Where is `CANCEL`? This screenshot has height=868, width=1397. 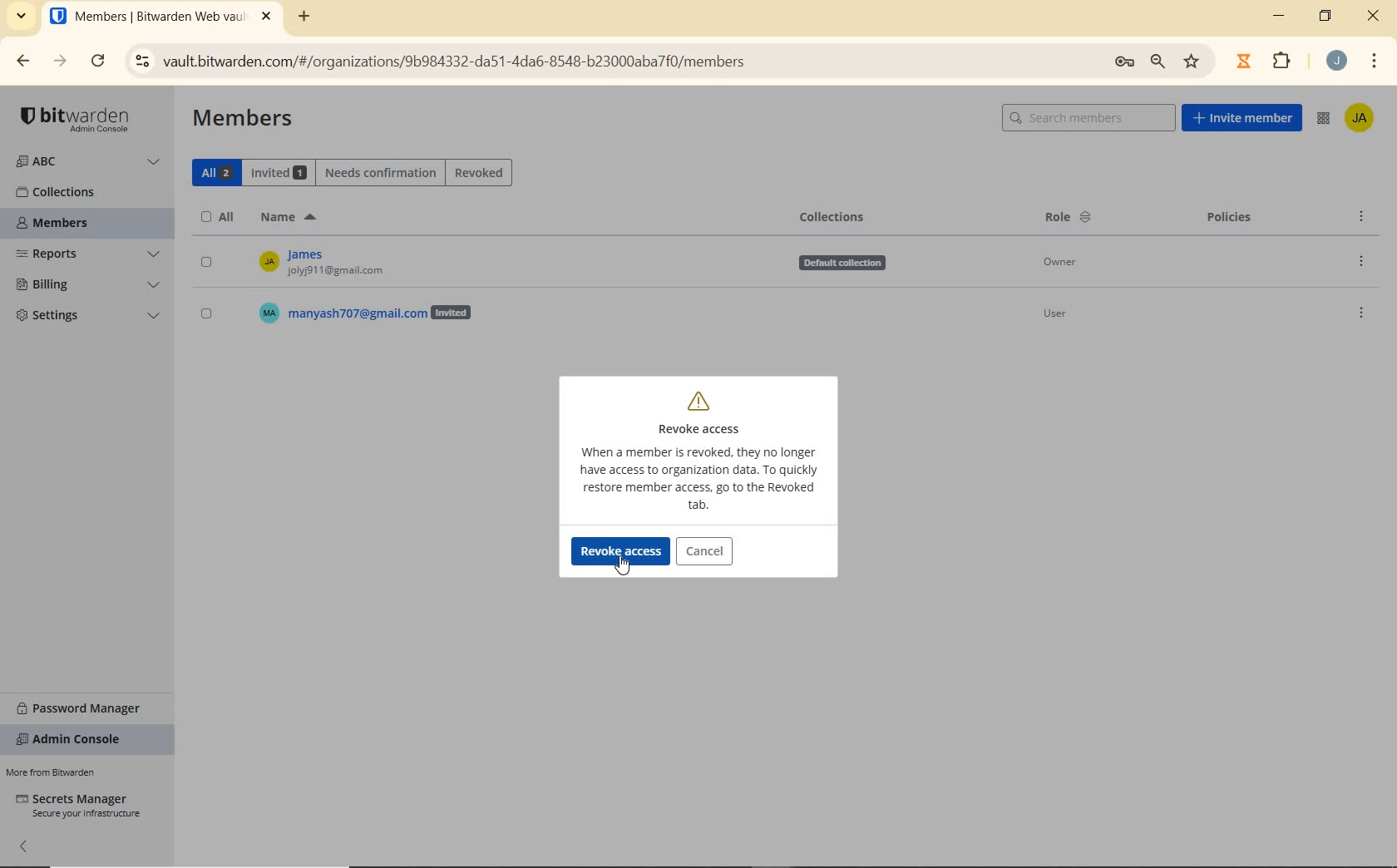 CANCEL is located at coordinates (708, 553).